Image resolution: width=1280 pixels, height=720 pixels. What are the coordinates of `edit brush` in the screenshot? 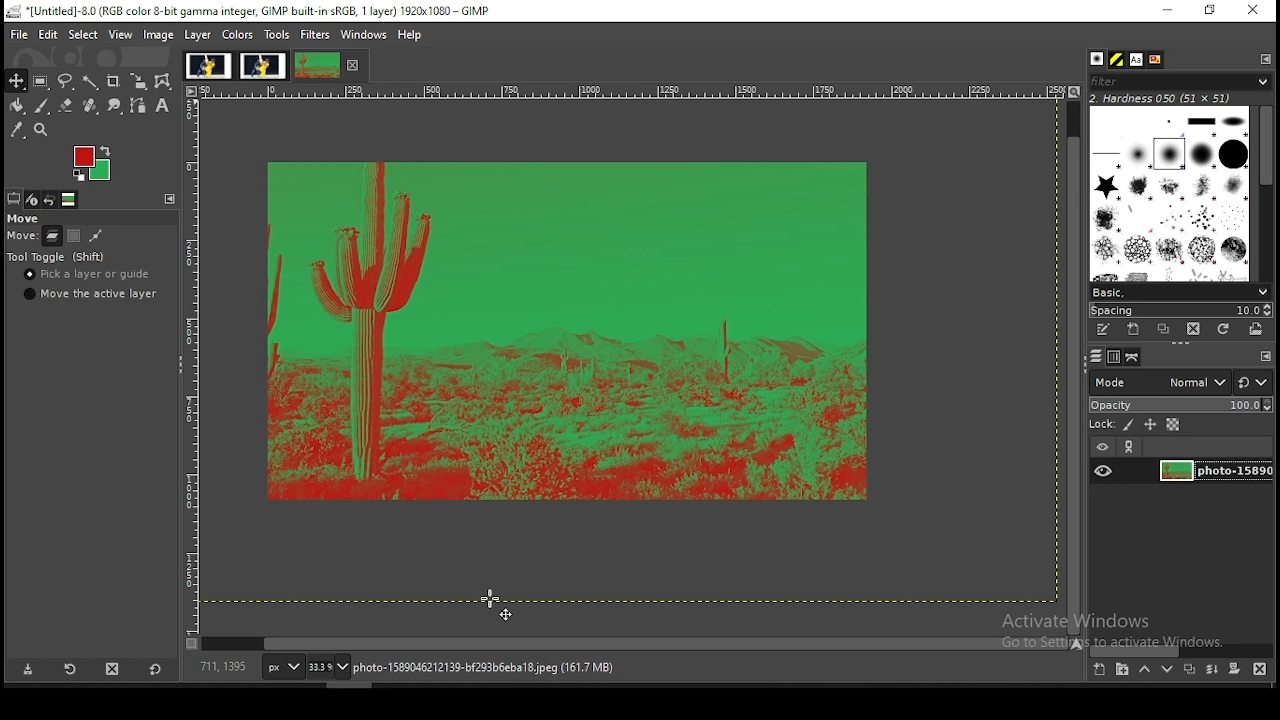 It's located at (1105, 330).